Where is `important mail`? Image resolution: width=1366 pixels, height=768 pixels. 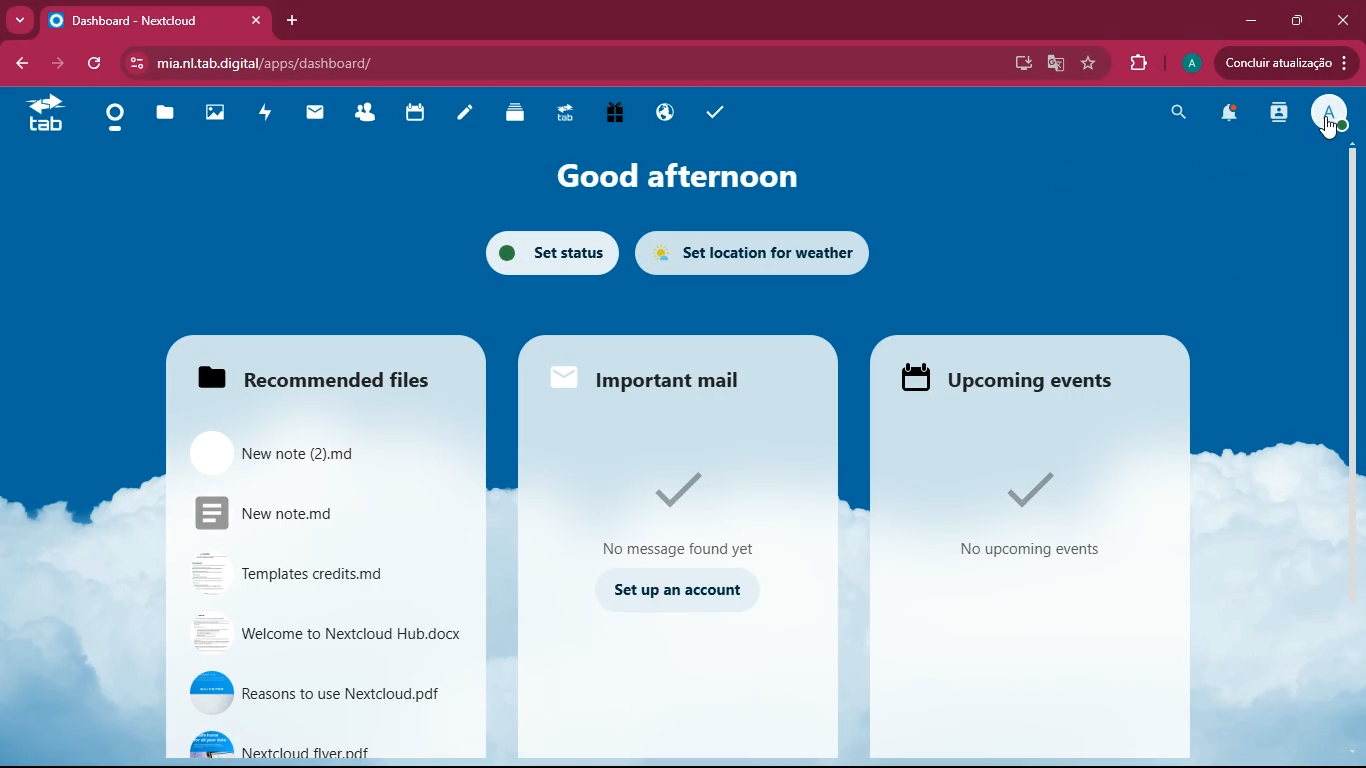
important mail is located at coordinates (669, 374).